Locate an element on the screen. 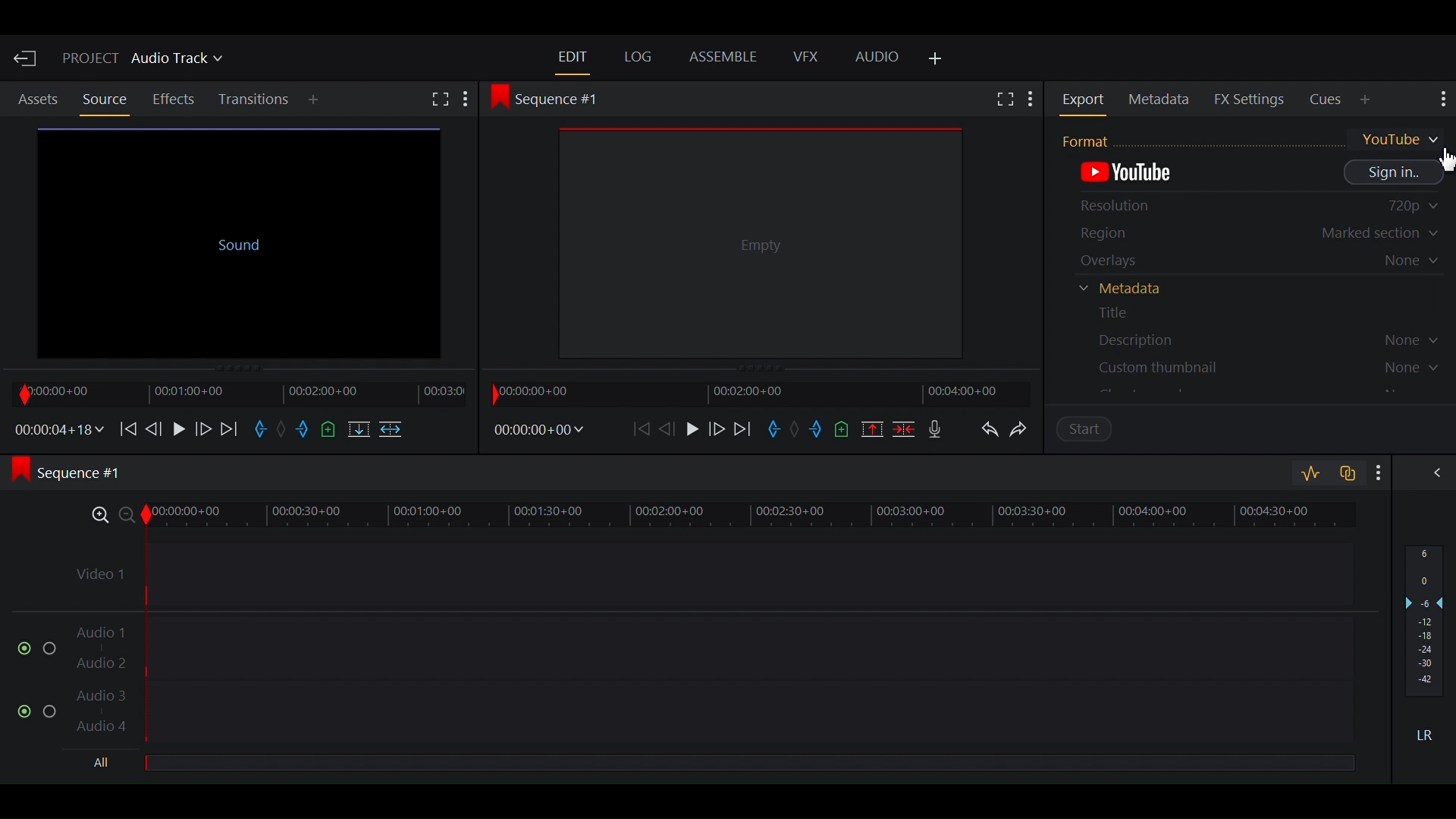 This screenshot has width=1456, height=819. Add a cue is located at coordinates (330, 430).